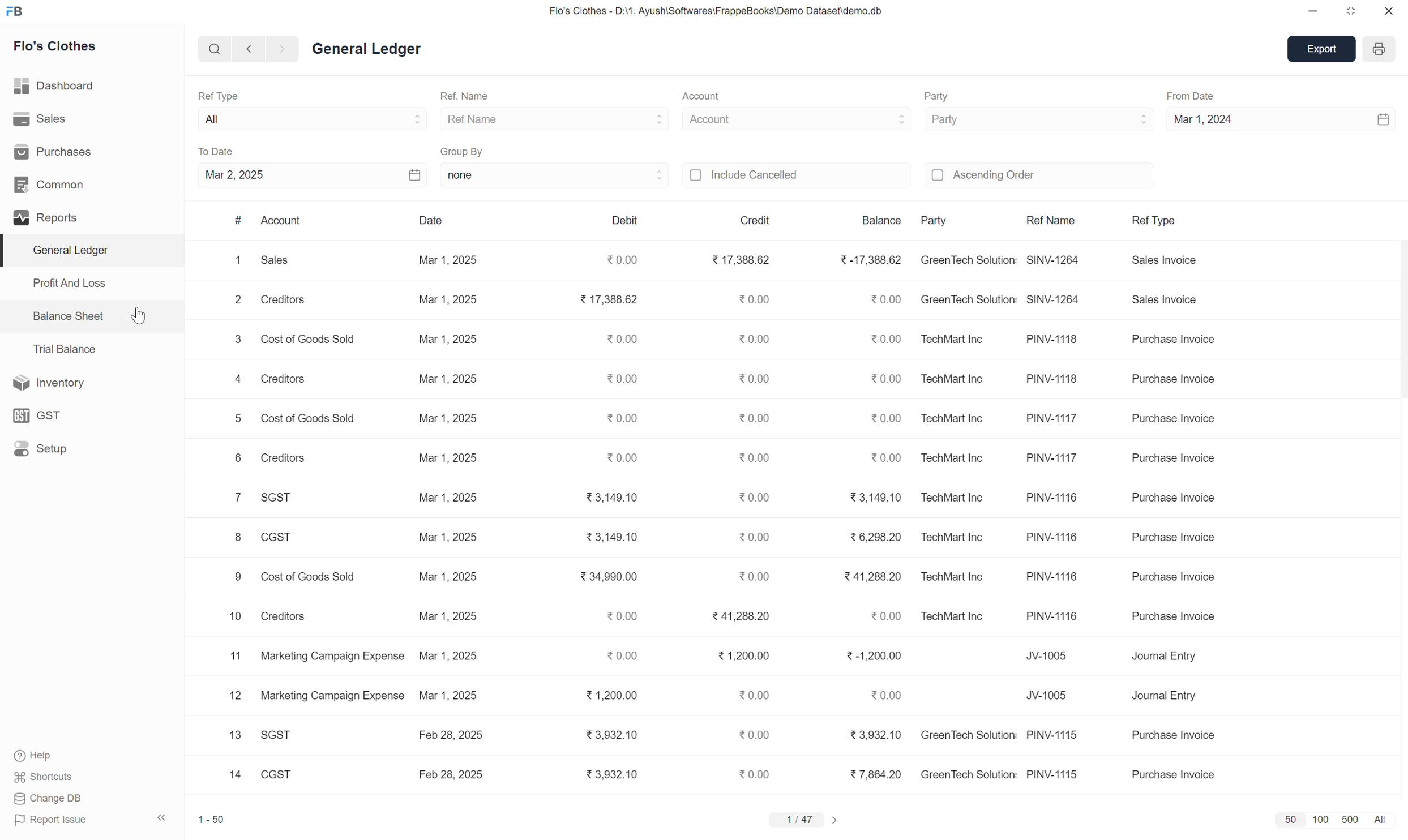 Image resolution: width=1408 pixels, height=840 pixels. I want to click on GreenTech Solution:, so click(969, 298).